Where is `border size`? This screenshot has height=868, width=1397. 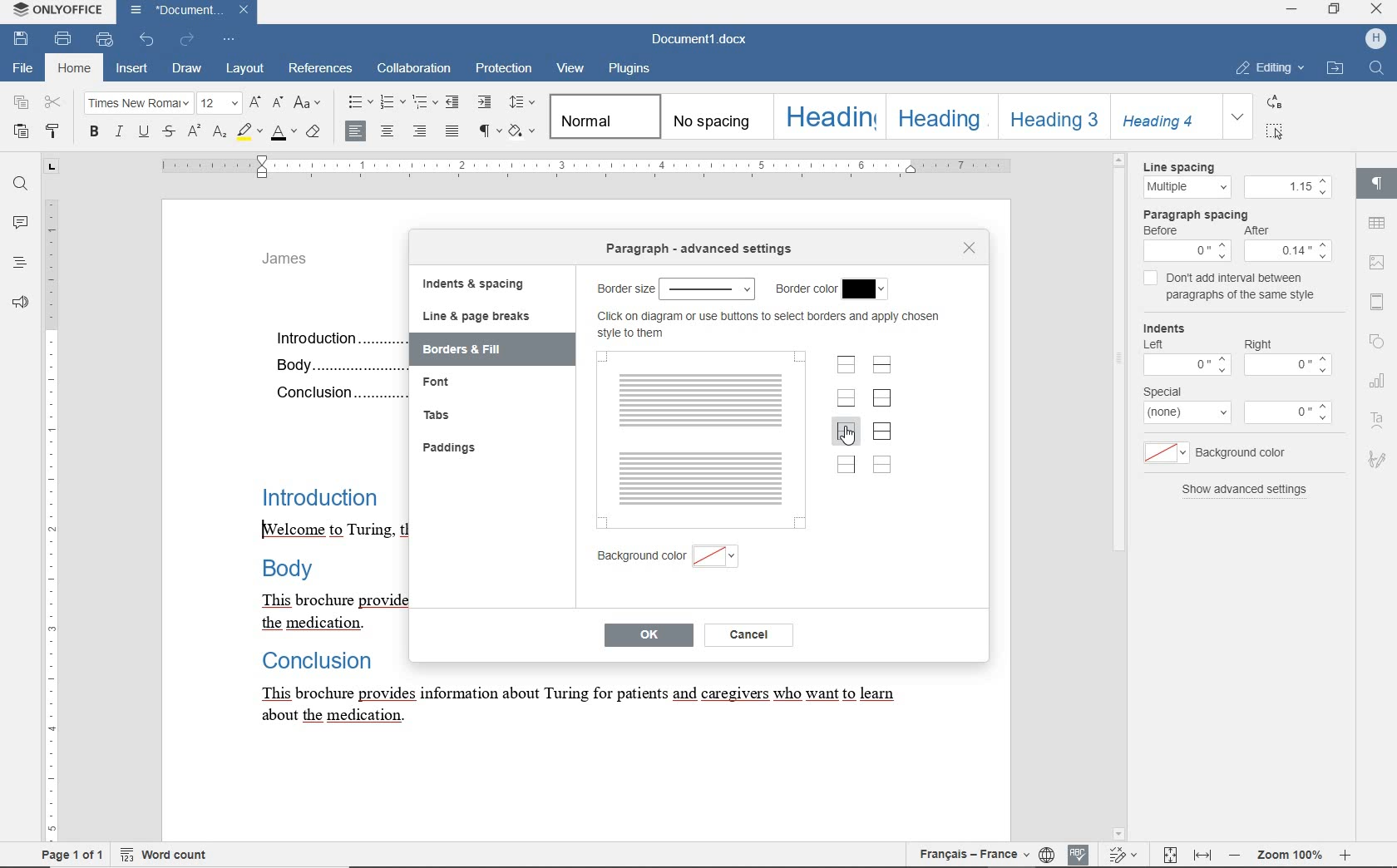
border size is located at coordinates (622, 289).